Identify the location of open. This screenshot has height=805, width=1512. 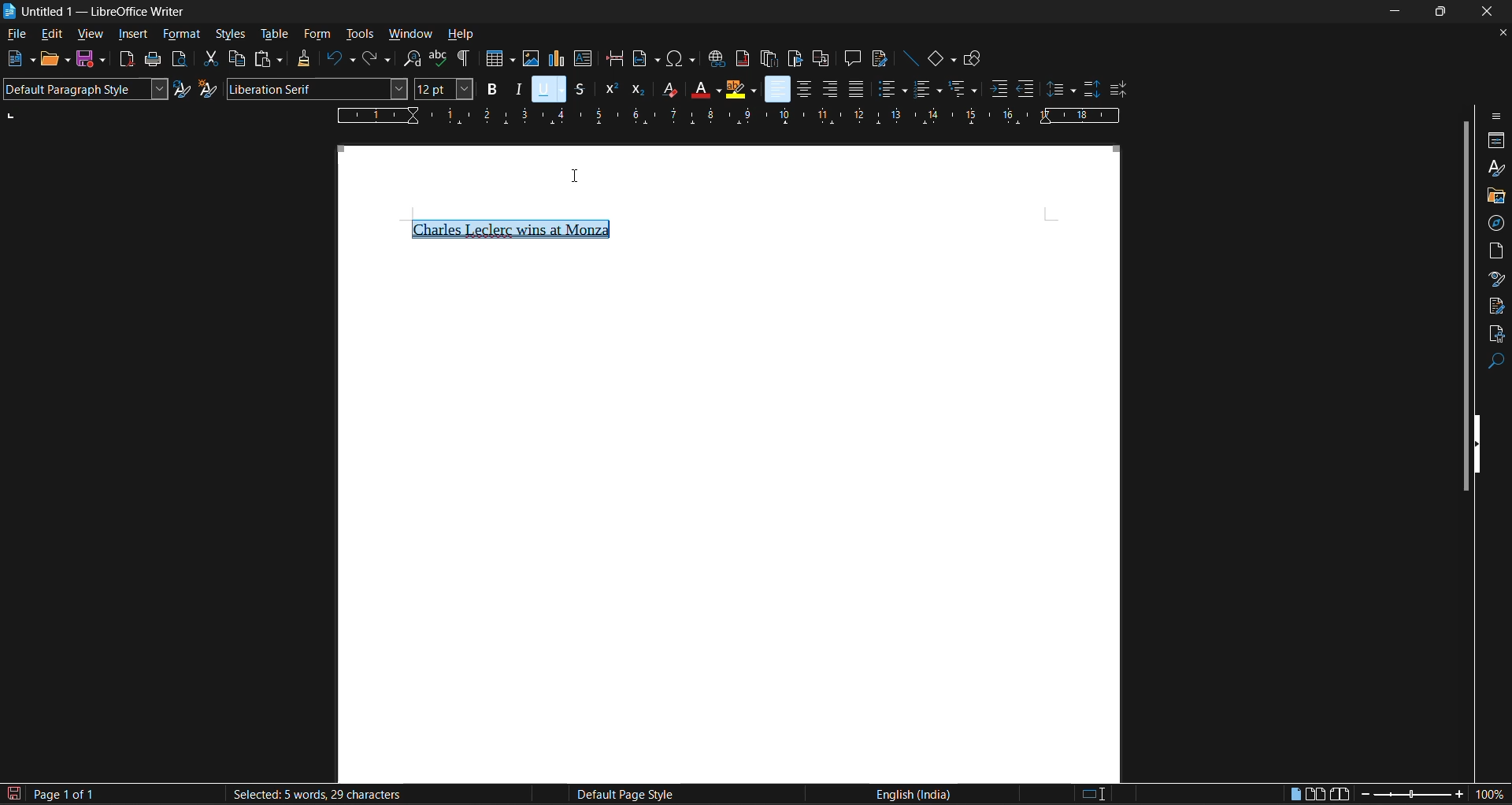
(58, 61).